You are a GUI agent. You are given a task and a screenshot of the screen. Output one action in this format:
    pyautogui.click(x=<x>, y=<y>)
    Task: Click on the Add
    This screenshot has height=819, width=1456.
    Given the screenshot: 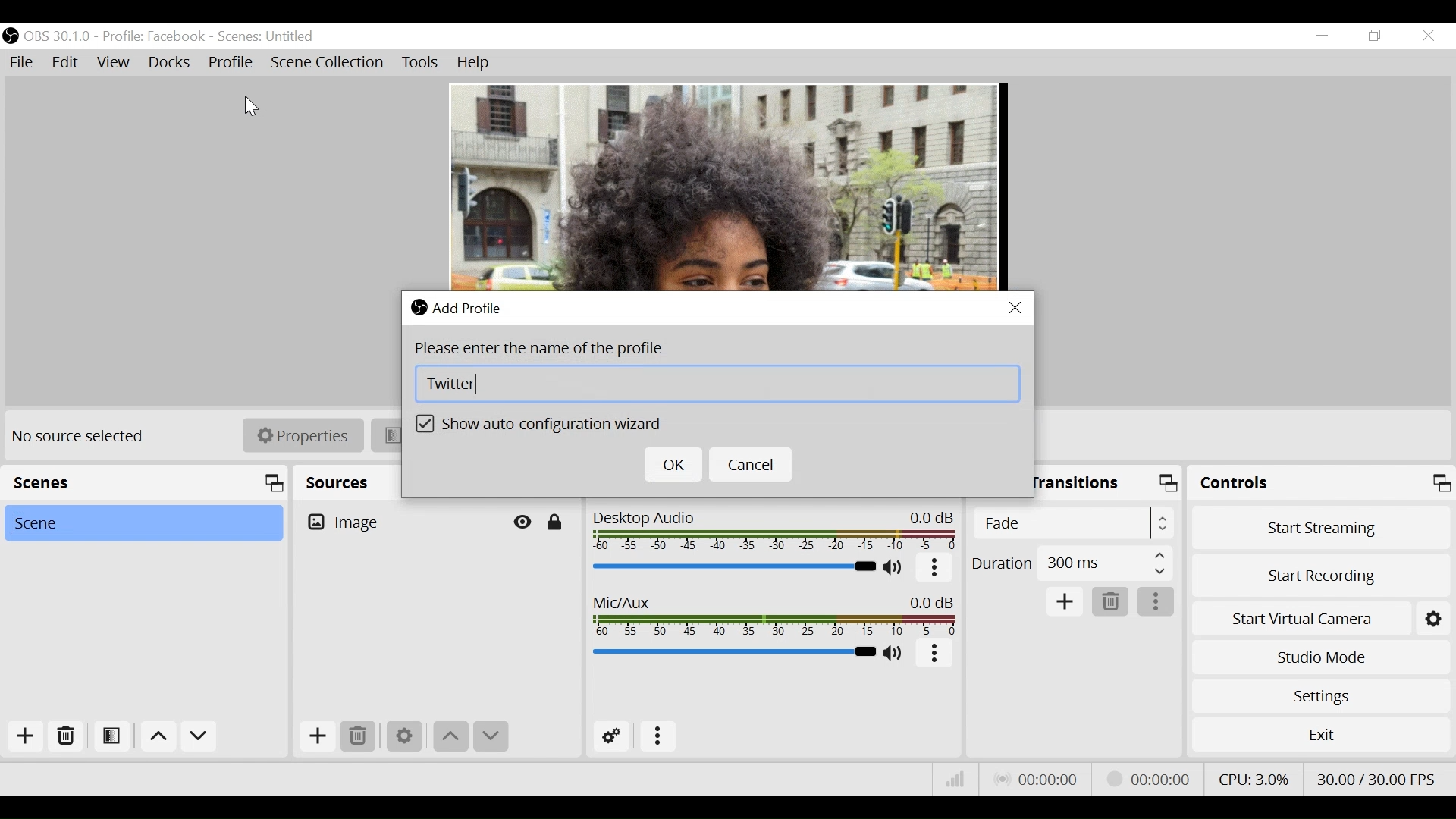 What is the action you would take?
    pyautogui.click(x=316, y=736)
    